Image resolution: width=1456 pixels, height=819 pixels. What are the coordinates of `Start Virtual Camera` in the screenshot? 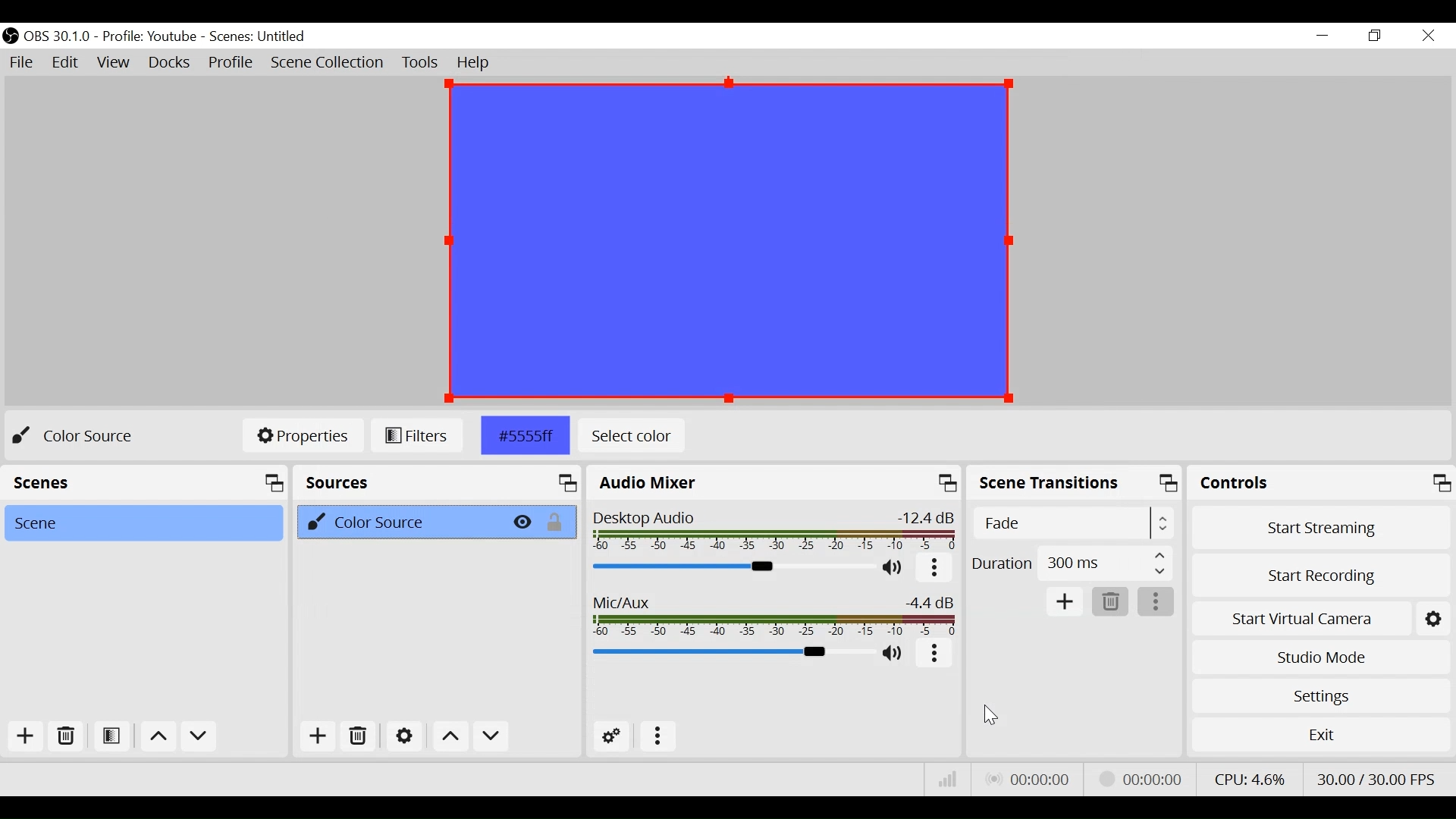 It's located at (1321, 620).